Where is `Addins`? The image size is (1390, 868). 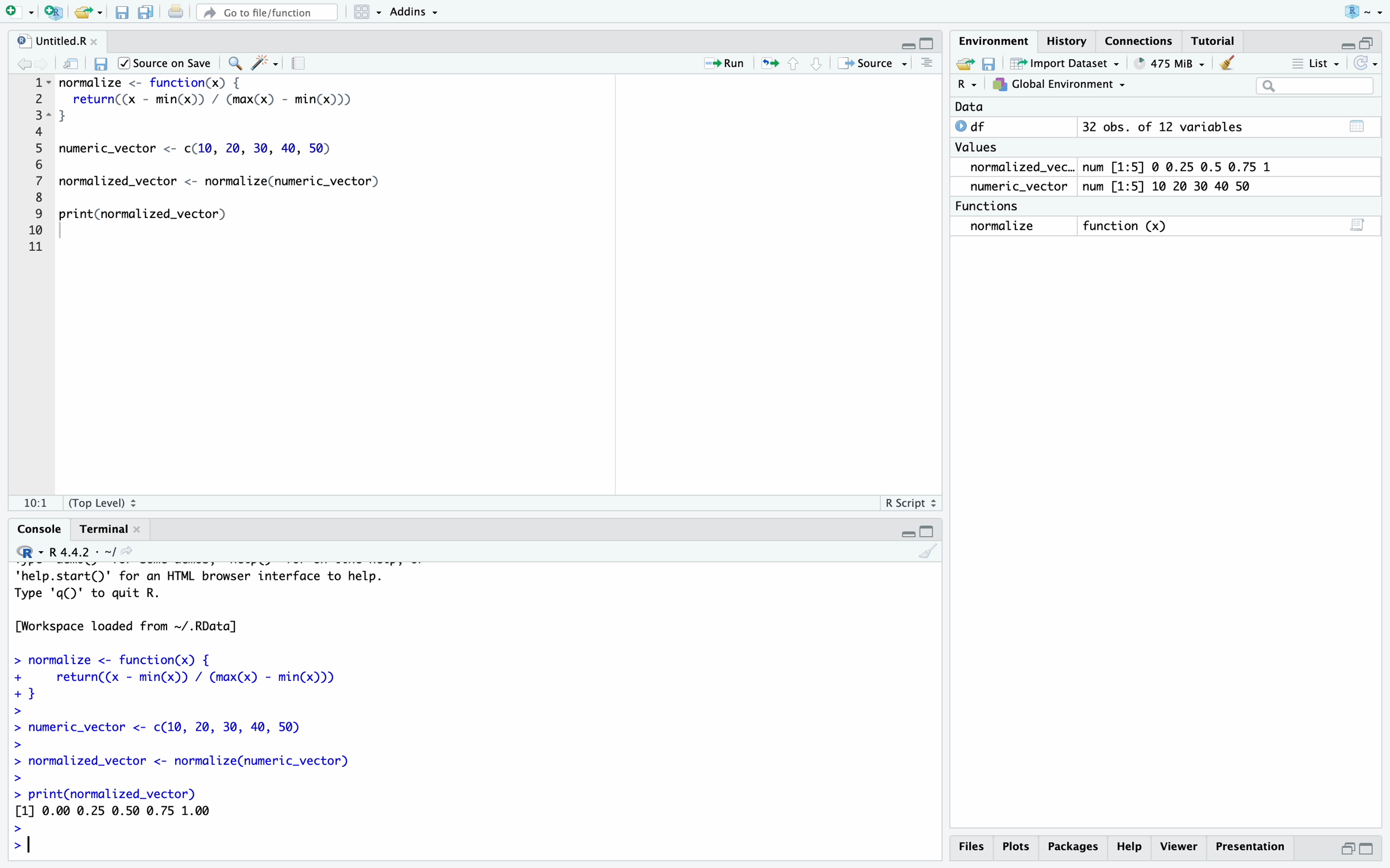
Addins is located at coordinates (421, 14).